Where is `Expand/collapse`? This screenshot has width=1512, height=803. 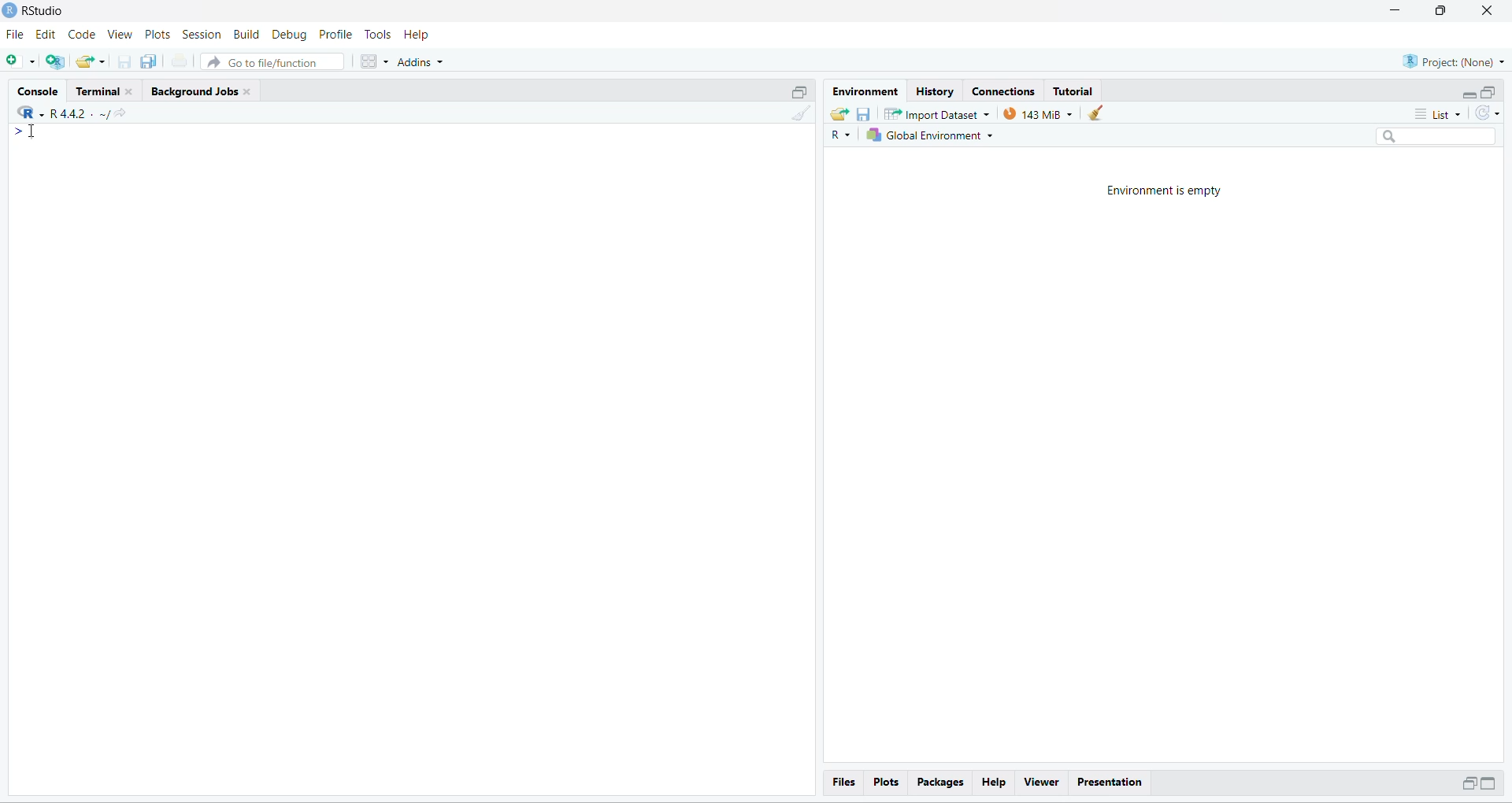 Expand/collapse is located at coordinates (1488, 783).